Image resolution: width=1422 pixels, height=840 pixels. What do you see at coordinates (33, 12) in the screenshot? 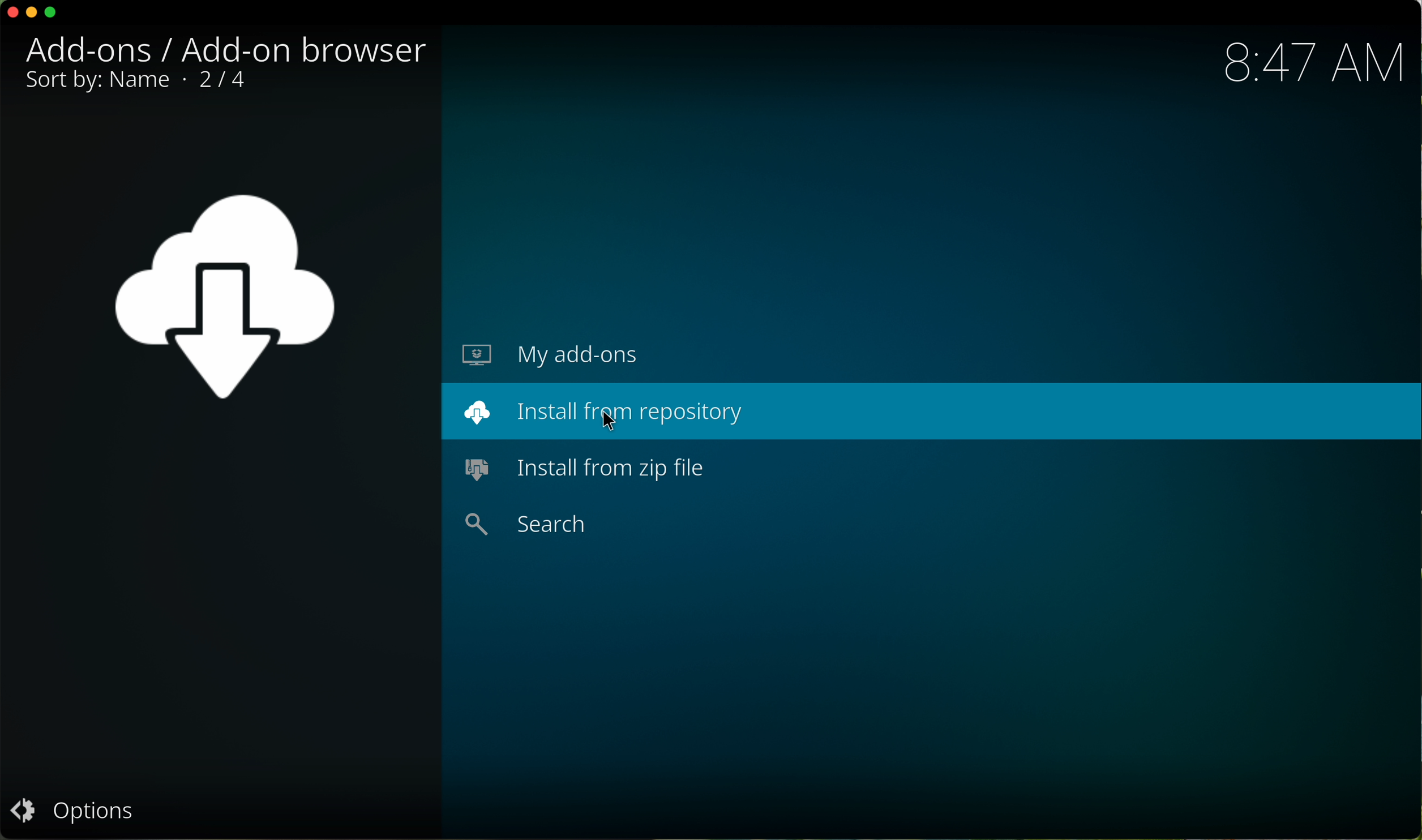
I see `minimize` at bounding box center [33, 12].